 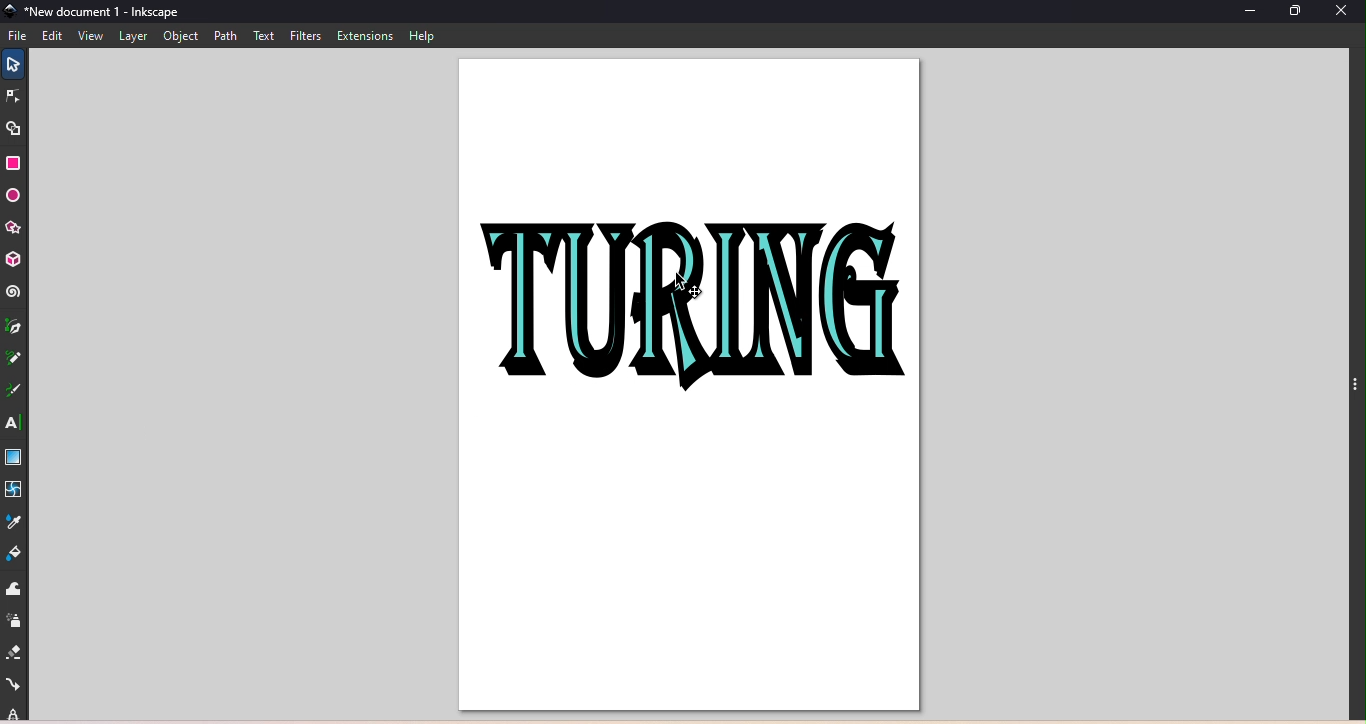 What do you see at coordinates (1303, 12) in the screenshot?
I see `Maximize` at bounding box center [1303, 12].